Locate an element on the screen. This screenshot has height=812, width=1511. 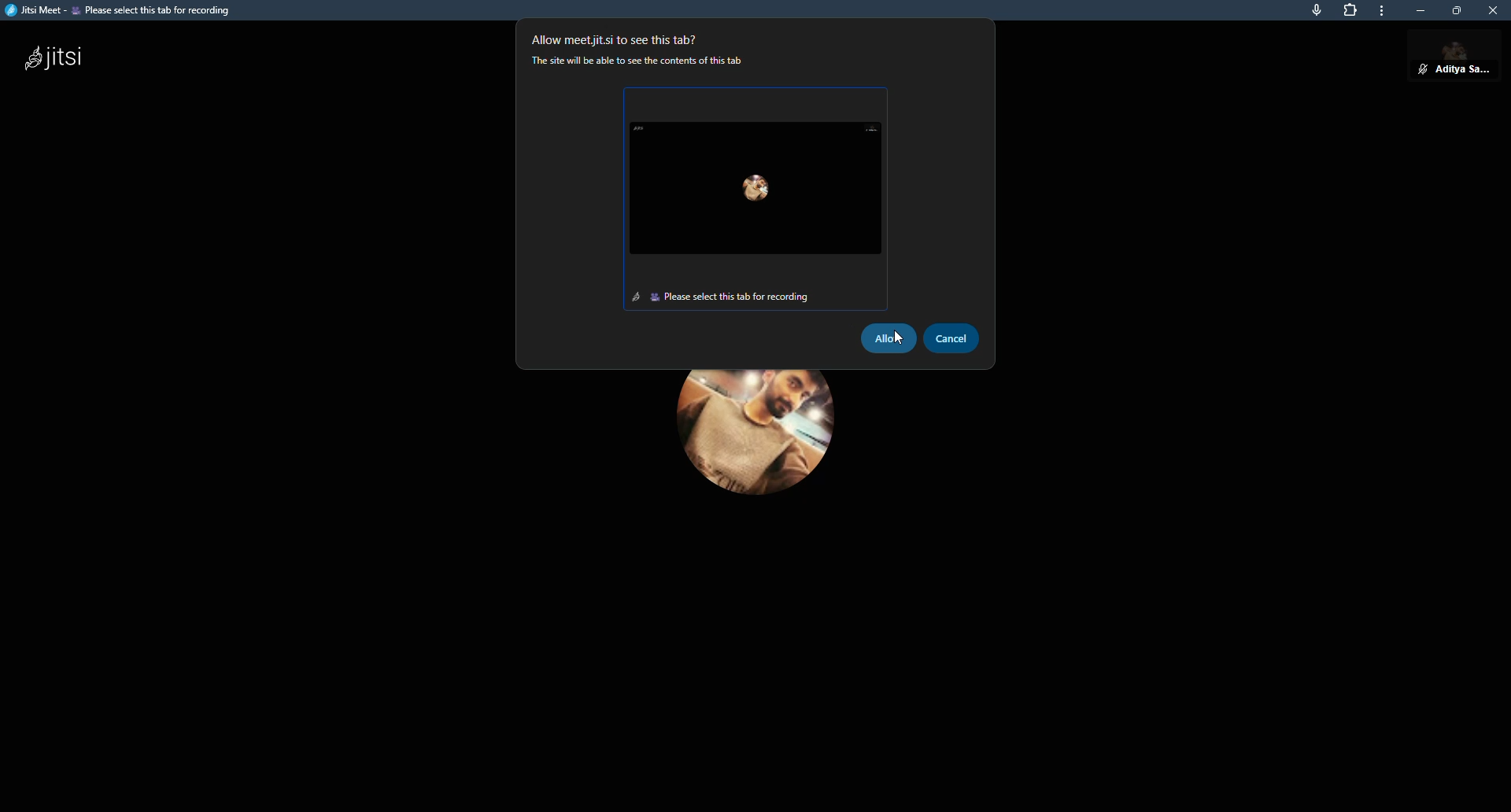
allow is located at coordinates (888, 338).